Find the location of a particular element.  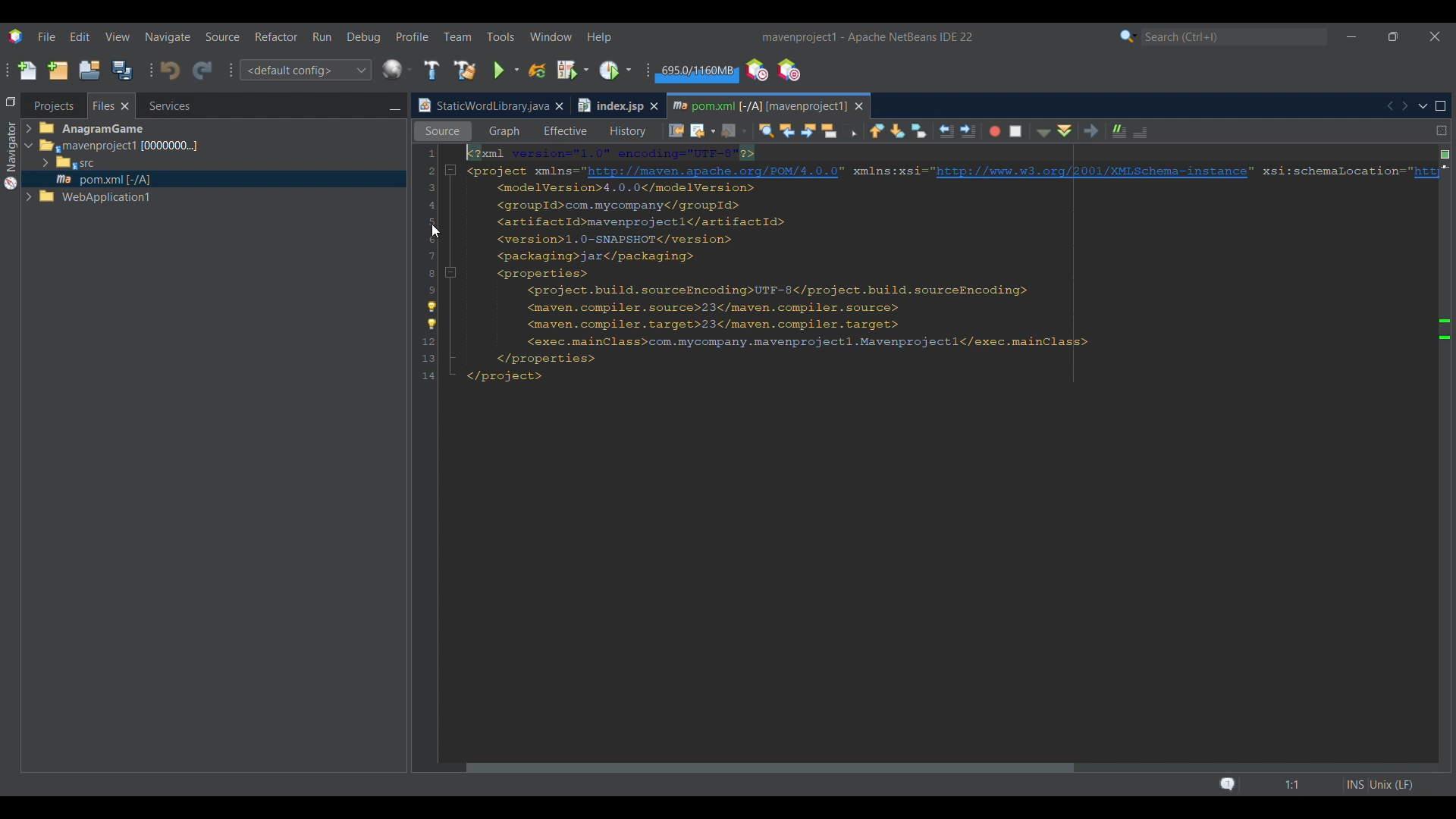

Previous bookmark is located at coordinates (877, 128).